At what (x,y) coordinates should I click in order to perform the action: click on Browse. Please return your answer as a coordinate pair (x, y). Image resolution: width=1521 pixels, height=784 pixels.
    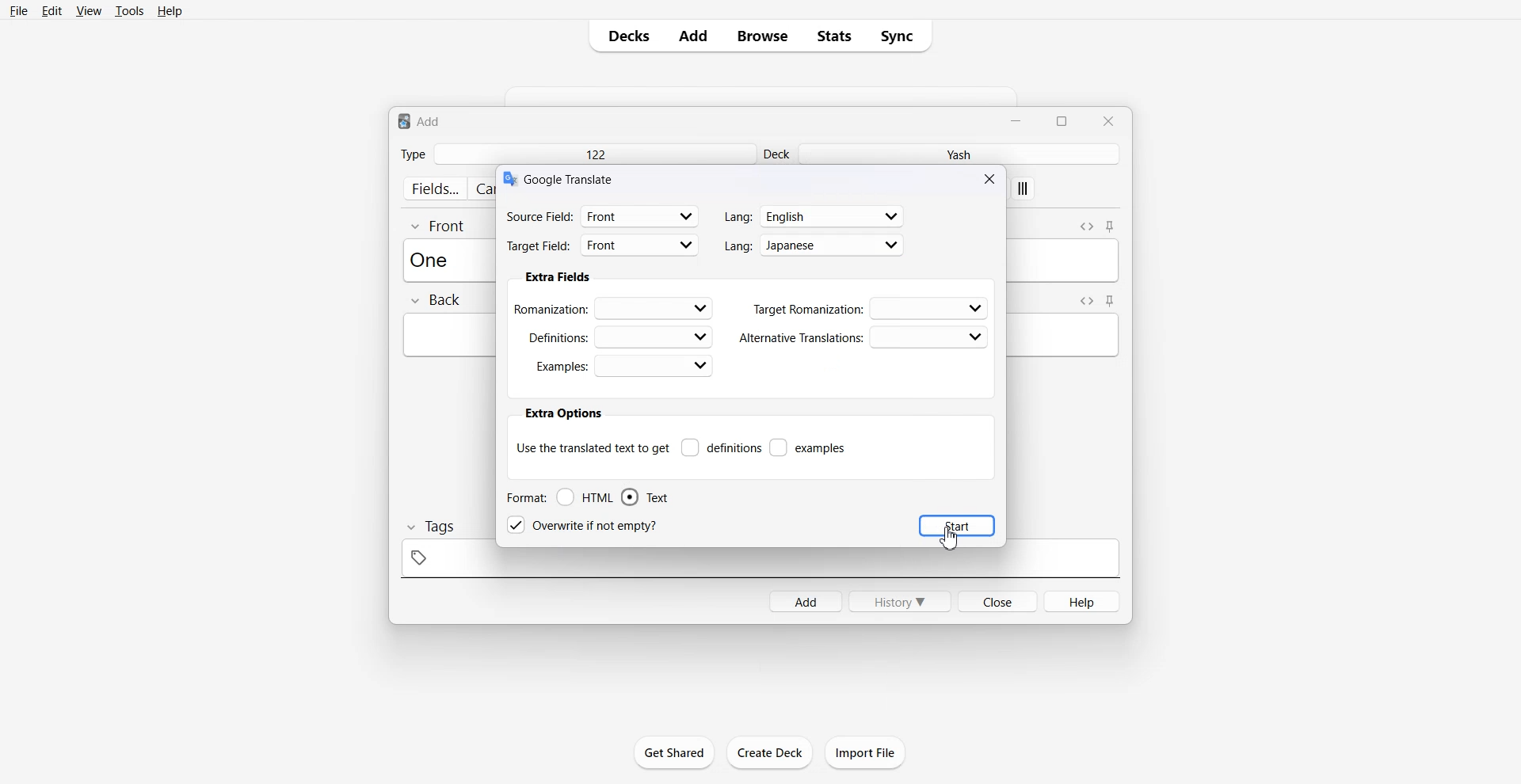
    Looking at the image, I should click on (763, 36).